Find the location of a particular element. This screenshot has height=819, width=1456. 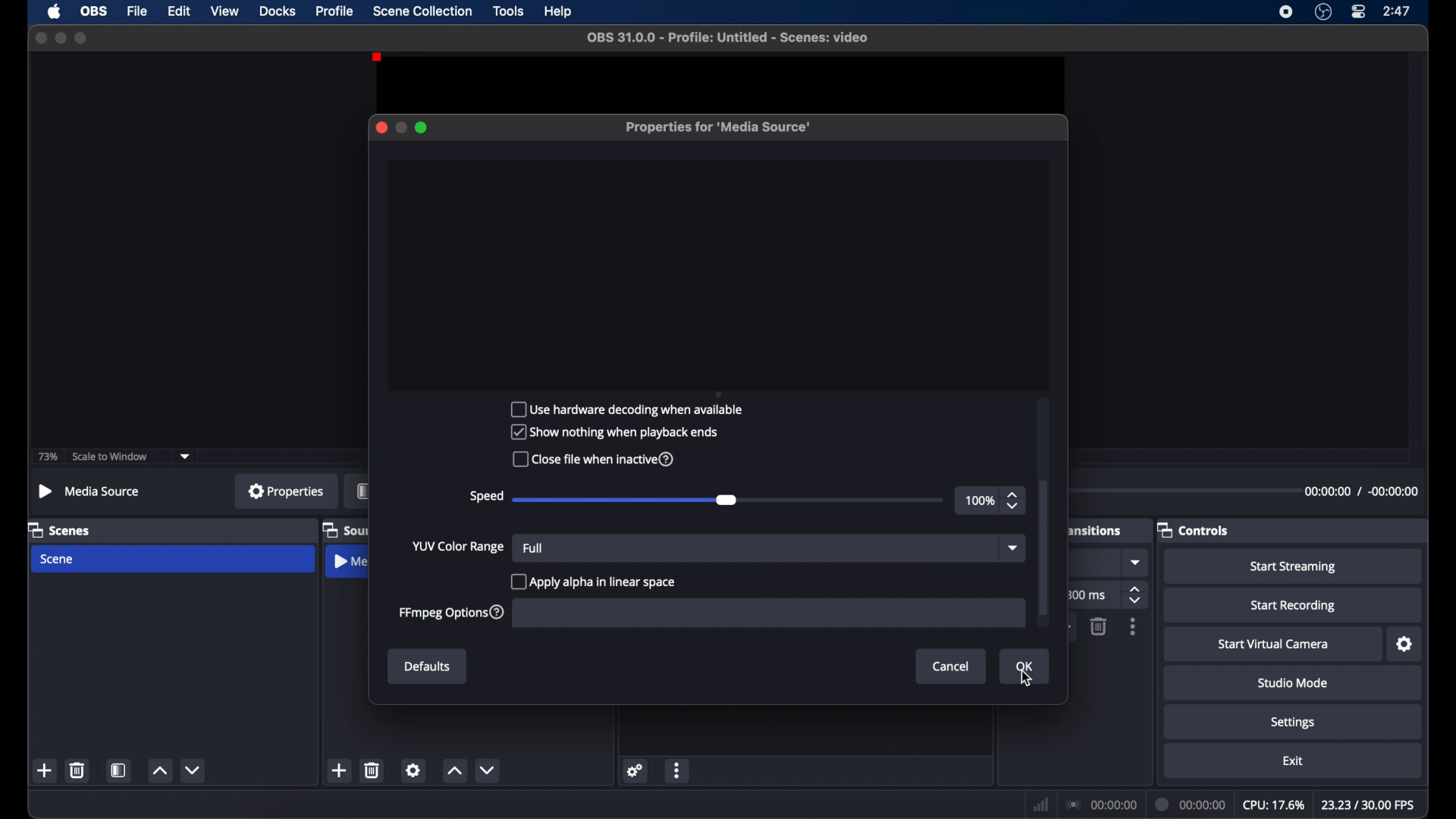

cpu is located at coordinates (1273, 805).